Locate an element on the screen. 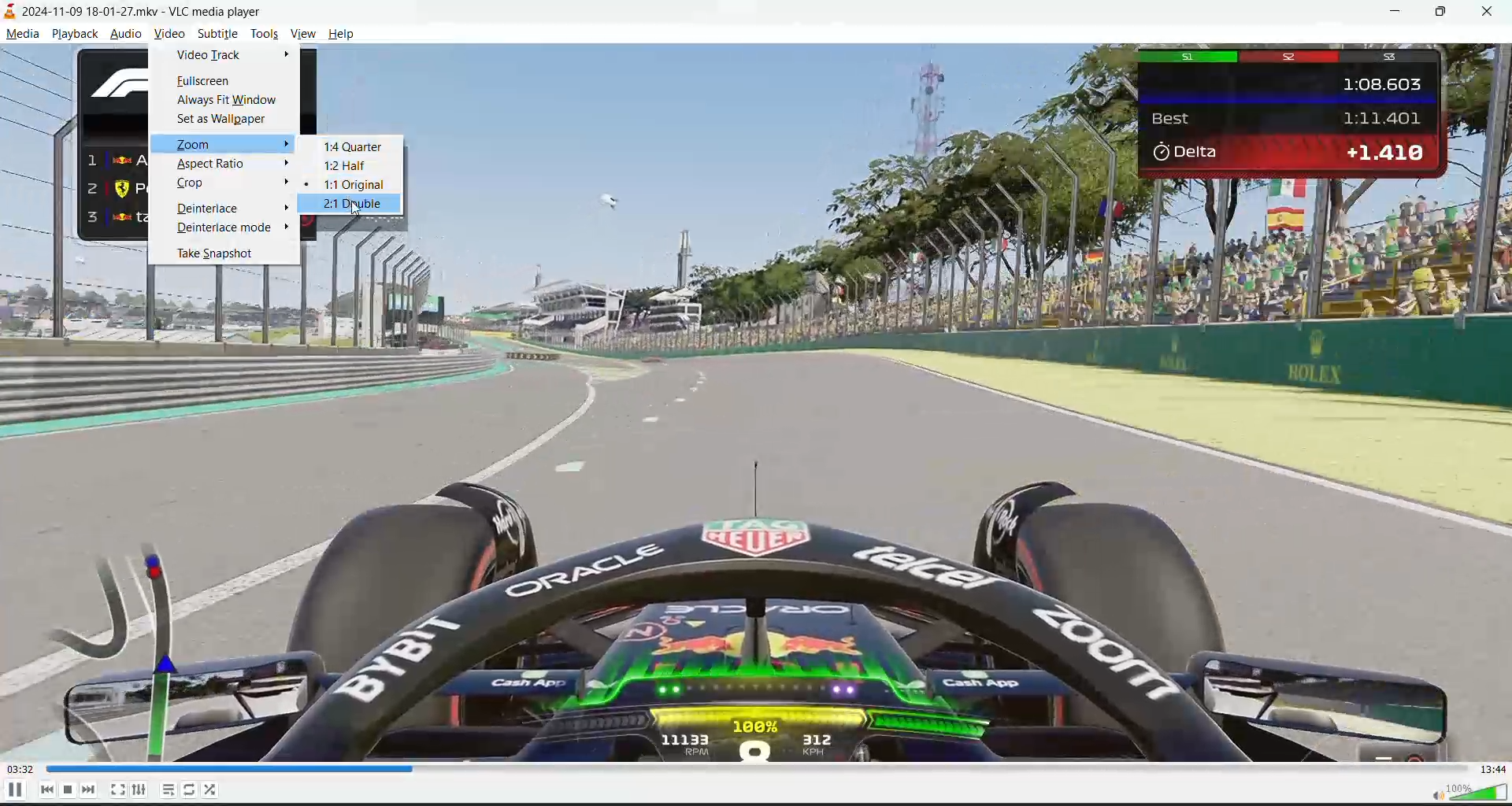 The image size is (1512, 806). 2:1 double is located at coordinates (355, 204).